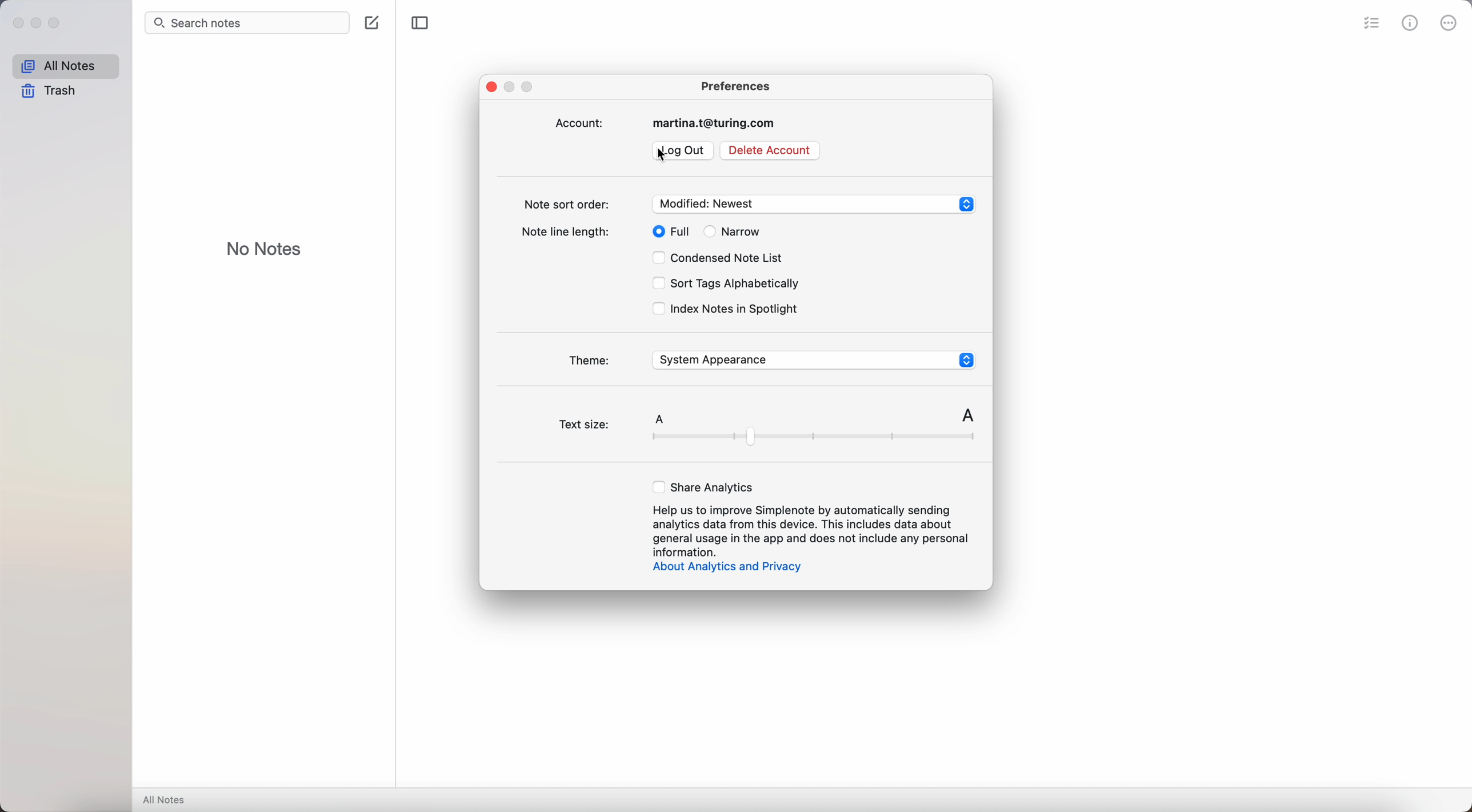 Image resolution: width=1472 pixels, height=812 pixels. Describe the element at coordinates (652, 283) in the screenshot. I see `checkbox` at that location.